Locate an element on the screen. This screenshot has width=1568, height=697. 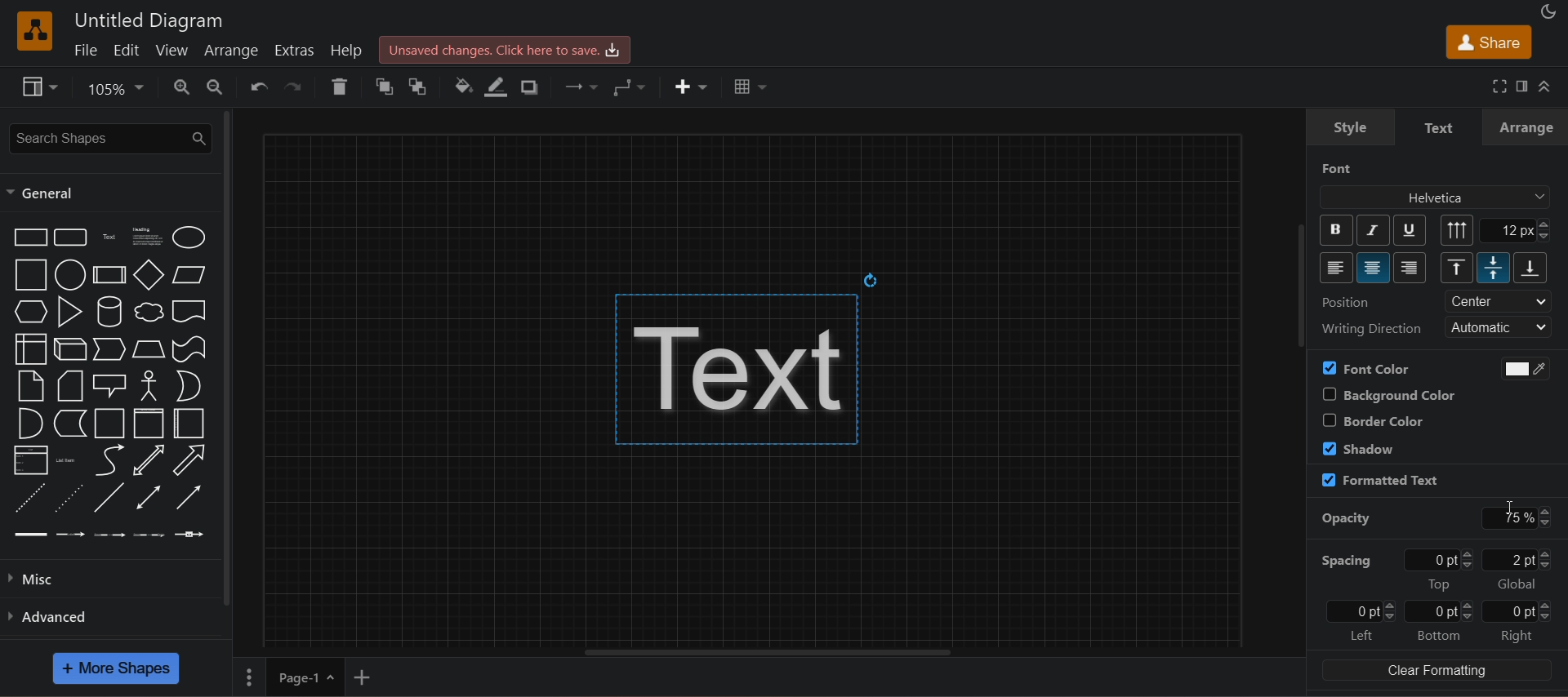
zoom out is located at coordinates (213, 87).